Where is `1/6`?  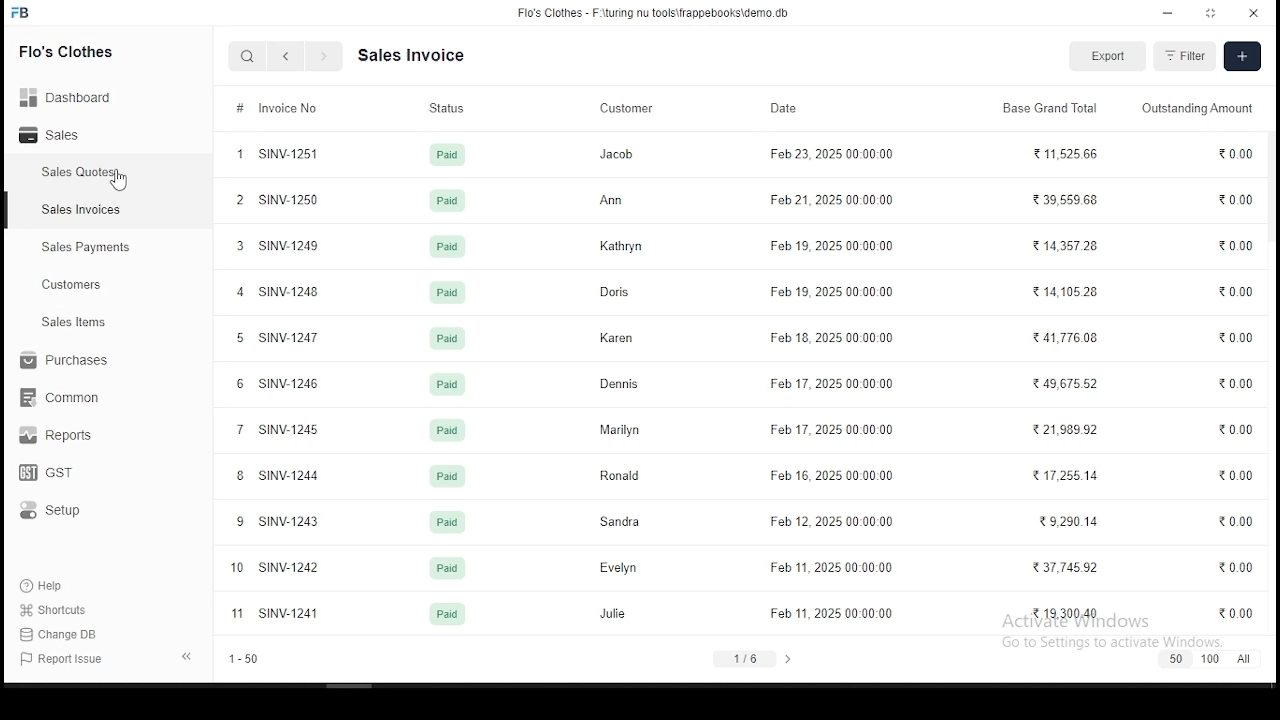
1/6 is located at coordinates (768, 660).